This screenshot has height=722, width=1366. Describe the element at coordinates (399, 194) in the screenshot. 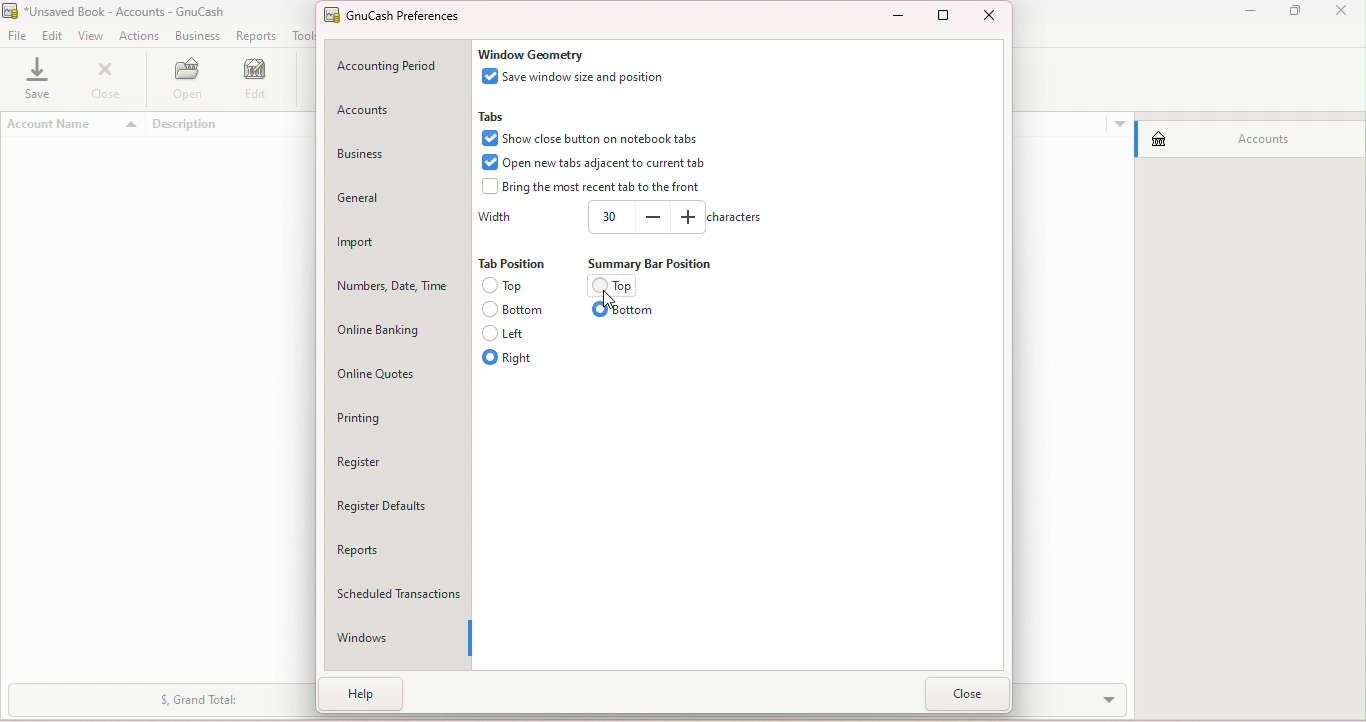

I see `General` at that location.